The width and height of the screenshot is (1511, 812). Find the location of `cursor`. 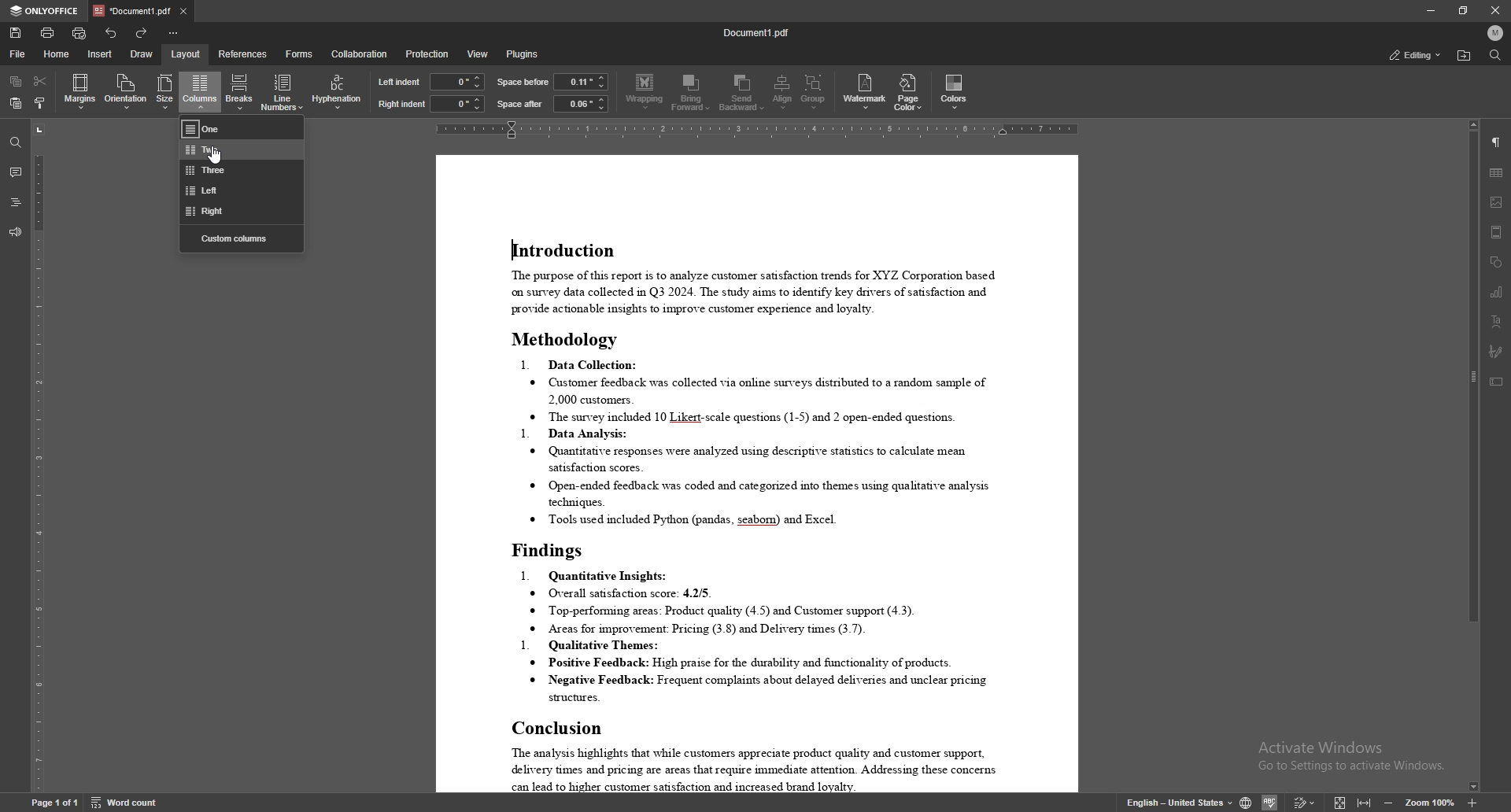

cursor is located at coordinates (219, 158).